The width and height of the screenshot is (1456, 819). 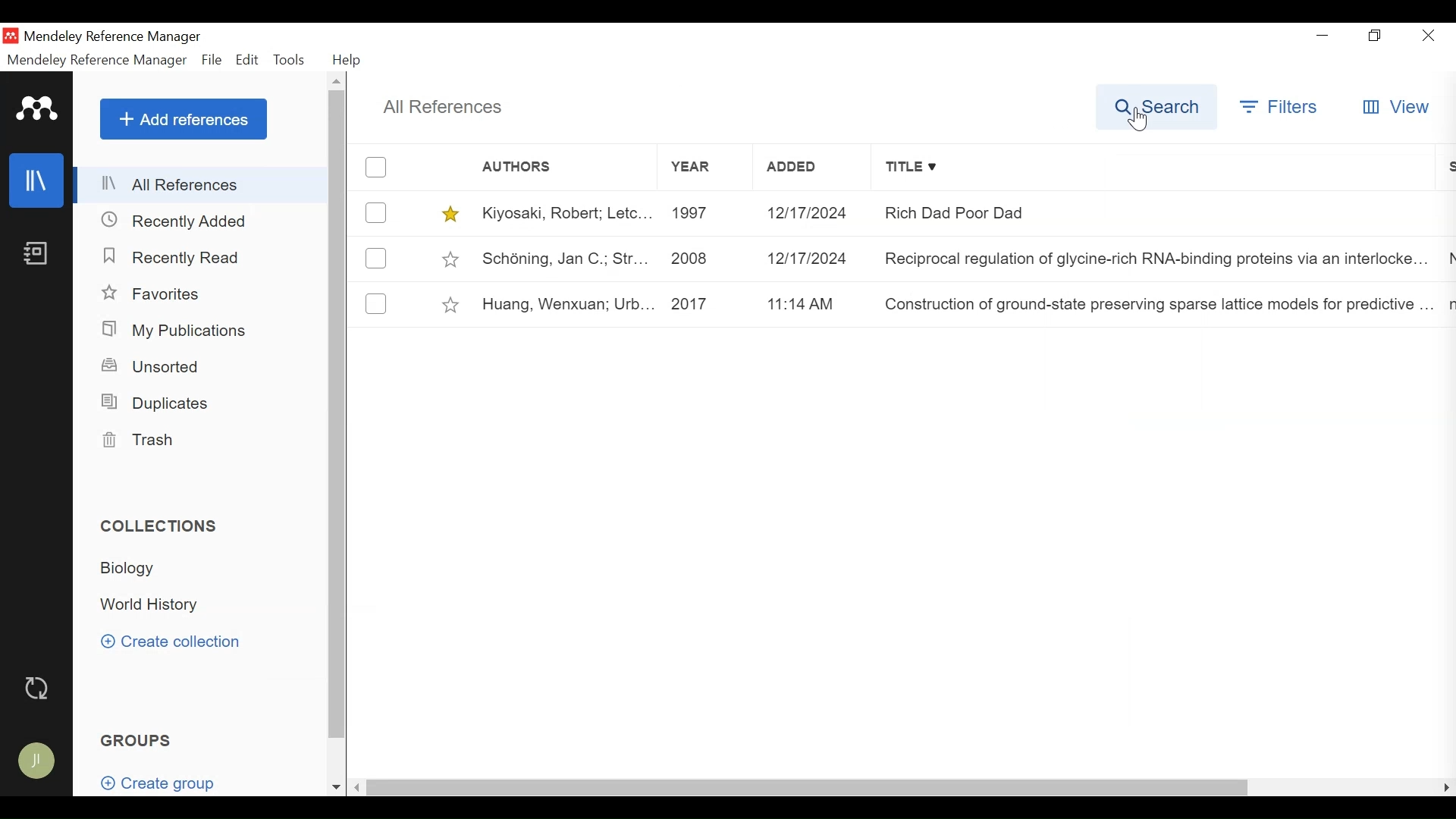 What do you see at coordinates (202, 183) in the screenshot?
I see `All References` at bounding box center [202, 183].